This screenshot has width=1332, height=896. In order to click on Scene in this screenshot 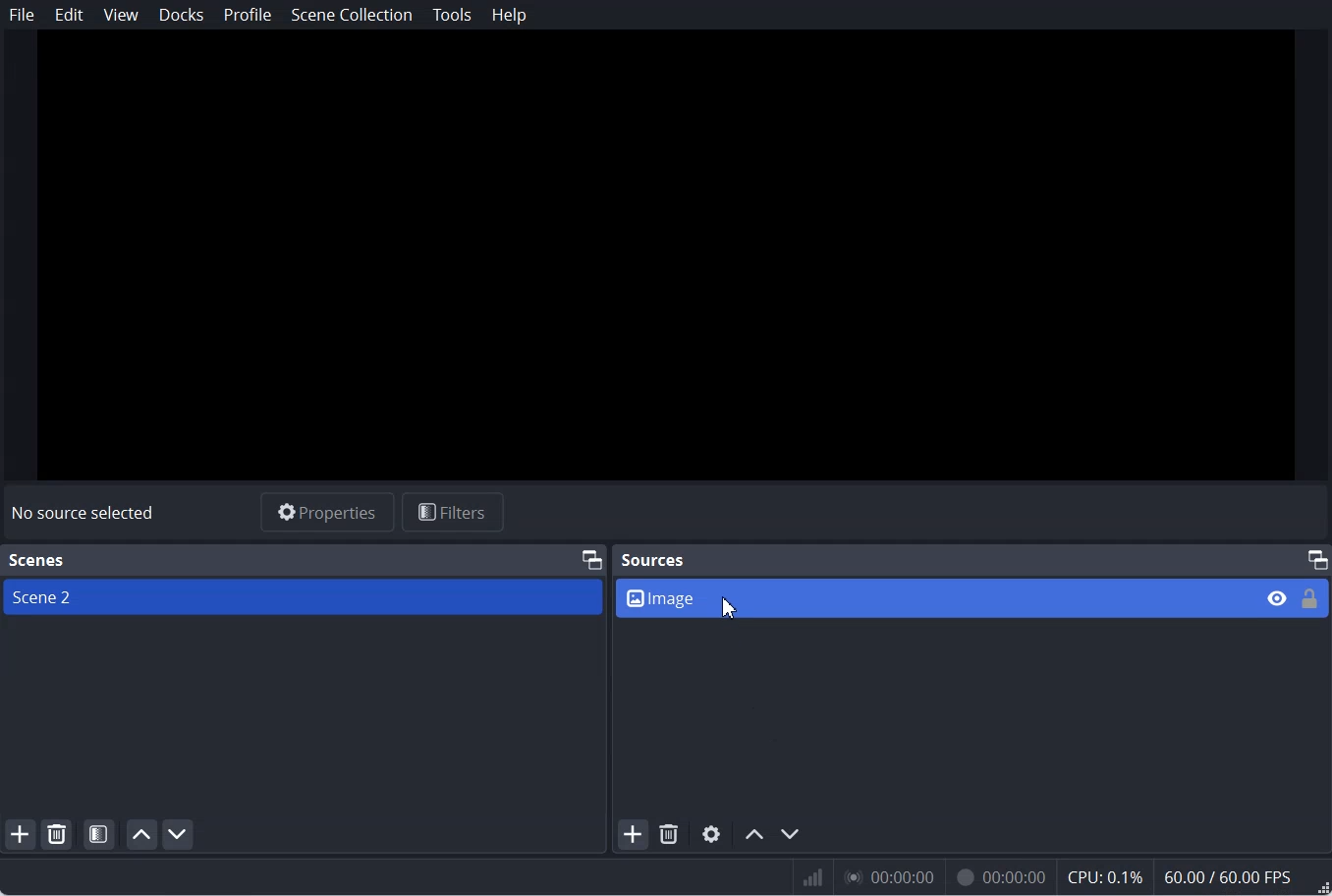, I will do `click(303, 597)`.